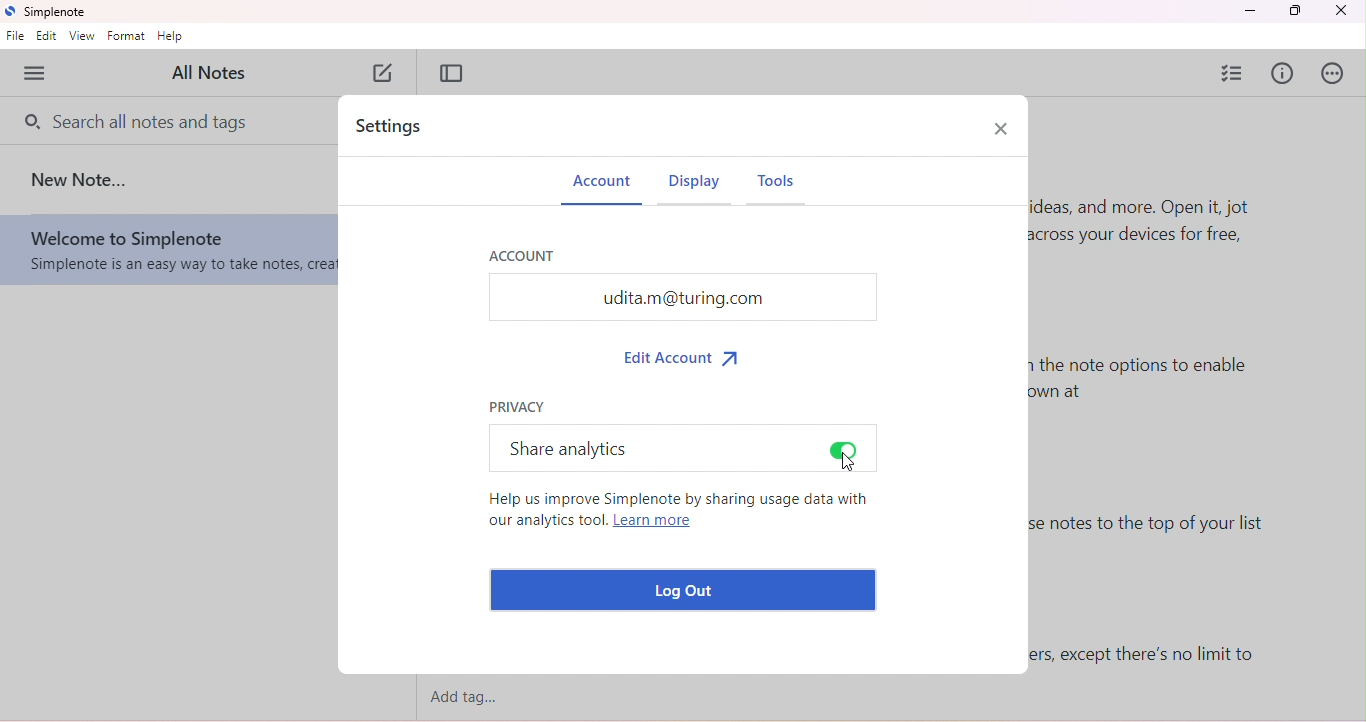 The height and width of the screenshot is (722, 1366). I want to click on markdown text, so click(1147, 388).